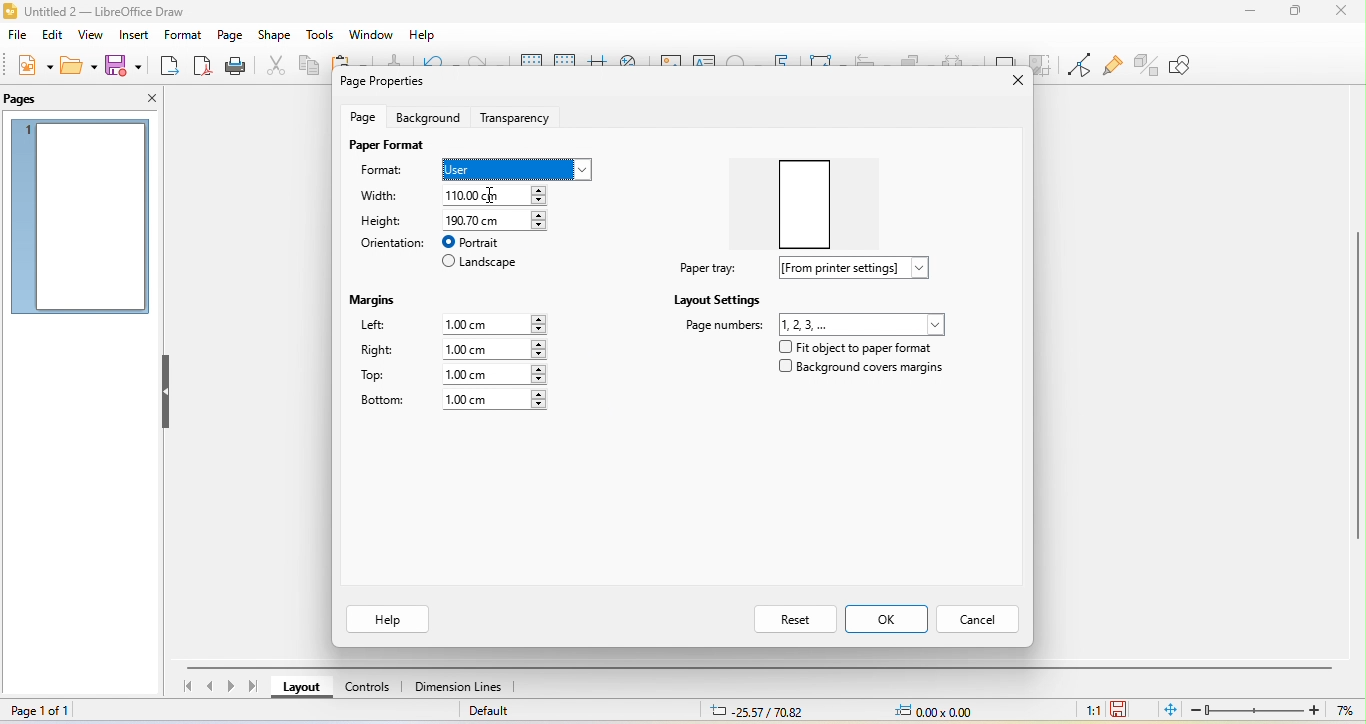 The height and width of the screenshot is (724, 1366). Describe the element at coordinates (386, 197) in the screenshot. I see `width` at that location.